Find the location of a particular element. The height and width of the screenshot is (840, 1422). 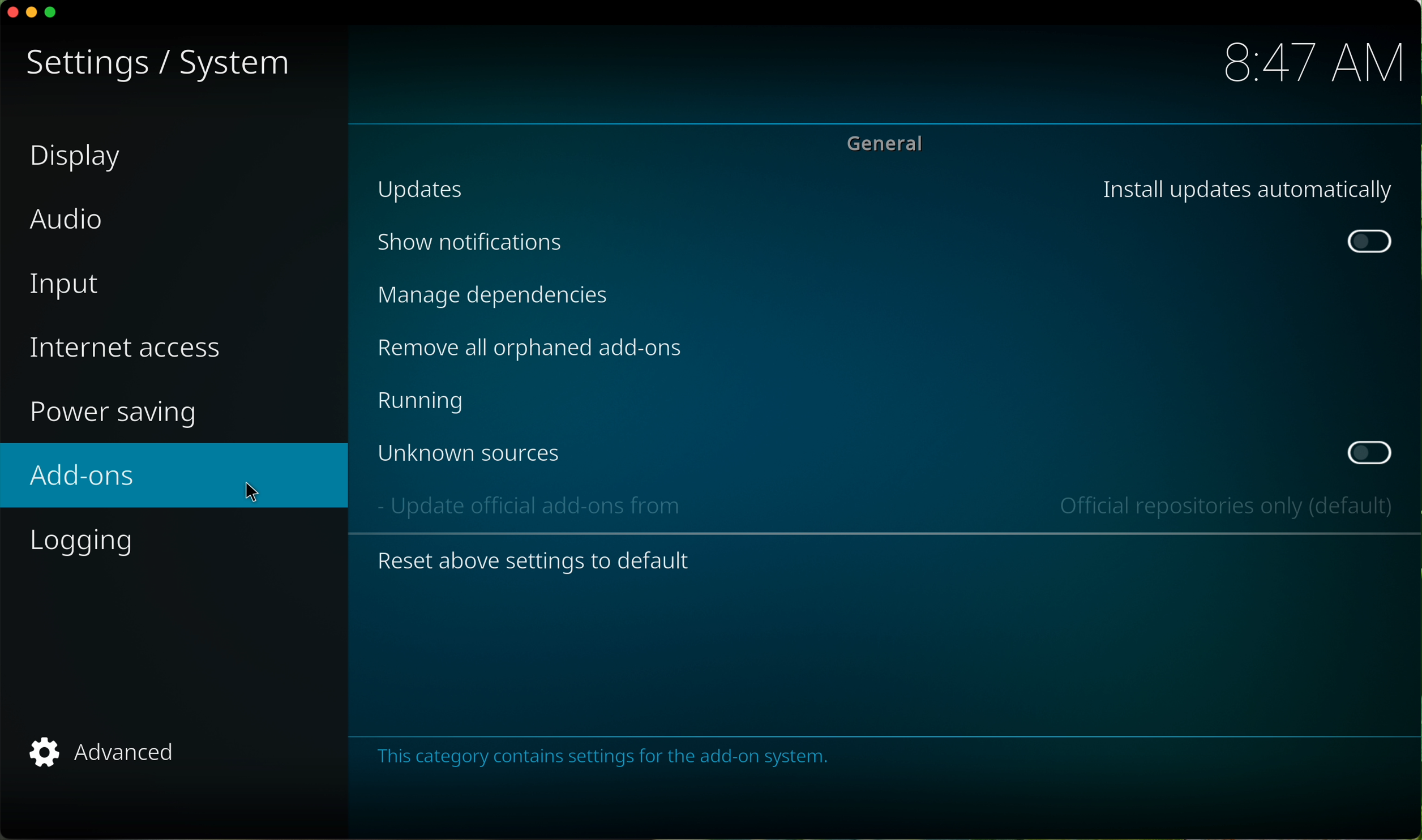

Running is located at coordinates (450, 405).